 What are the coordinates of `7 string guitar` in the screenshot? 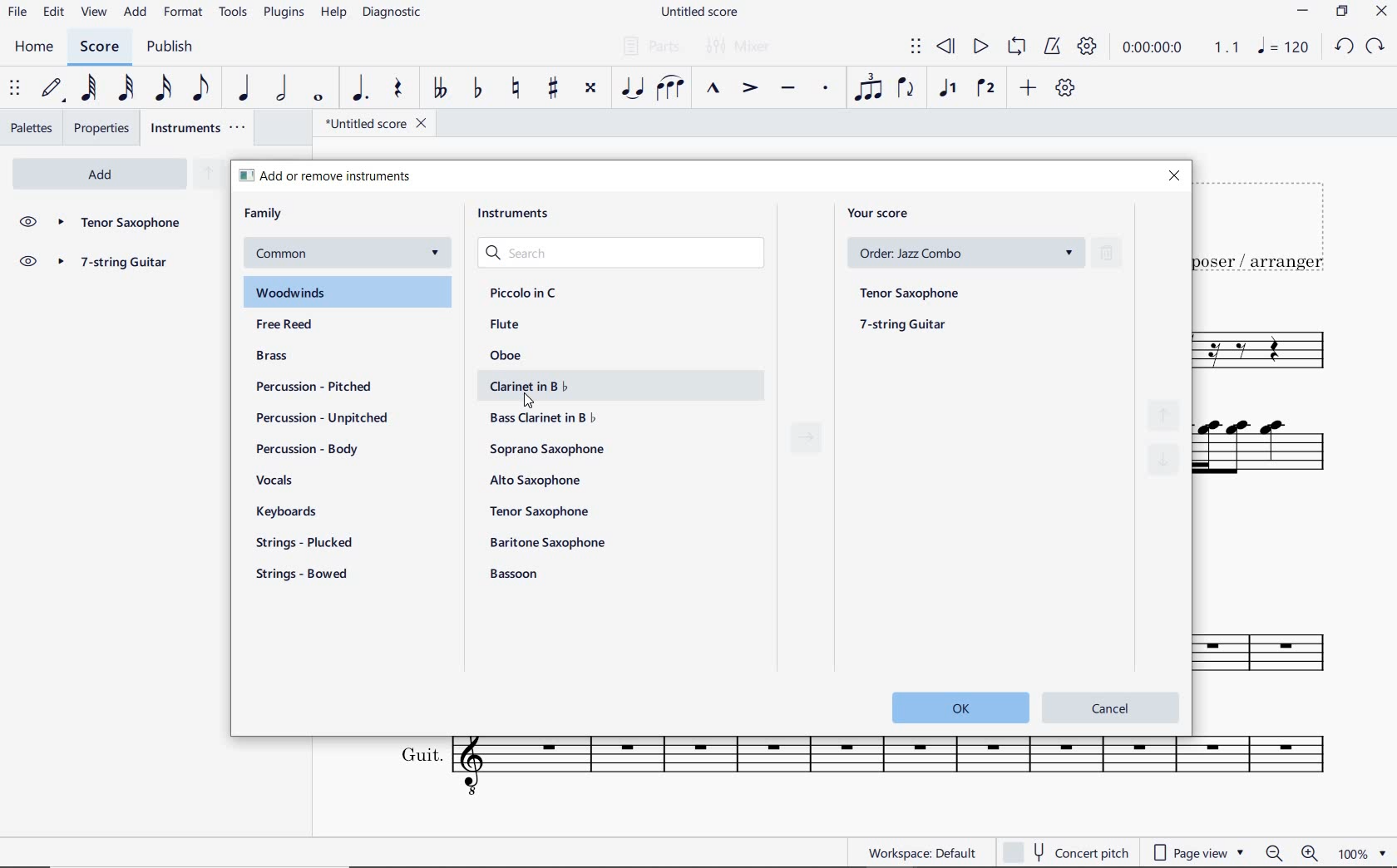 It's located at (120, 264).